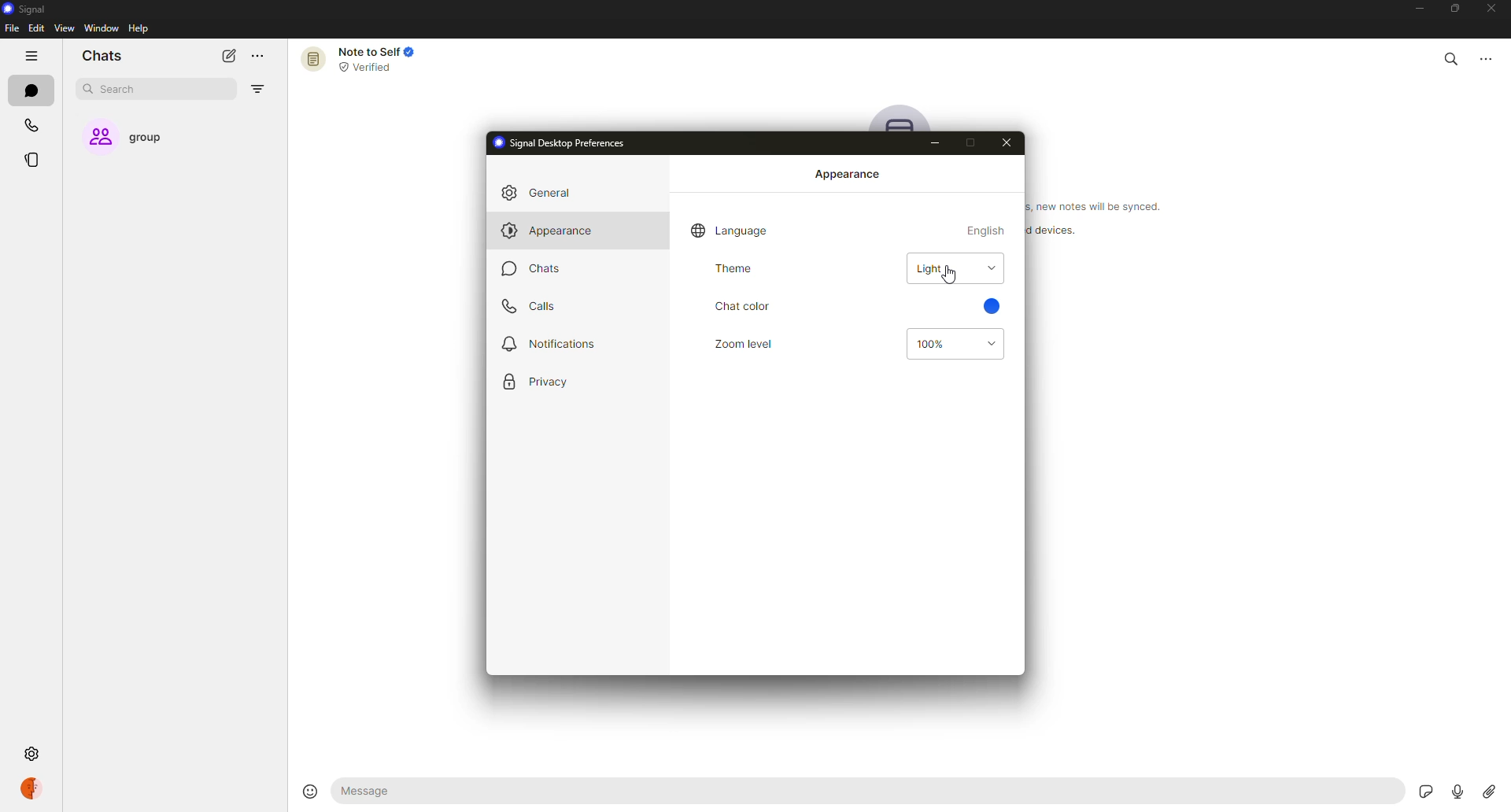 The height and width of the screenshot is (812, 1511). What do you see at coordinates (439, 792) in the screenshot?
I see `message` at bounding box center [439, 792].